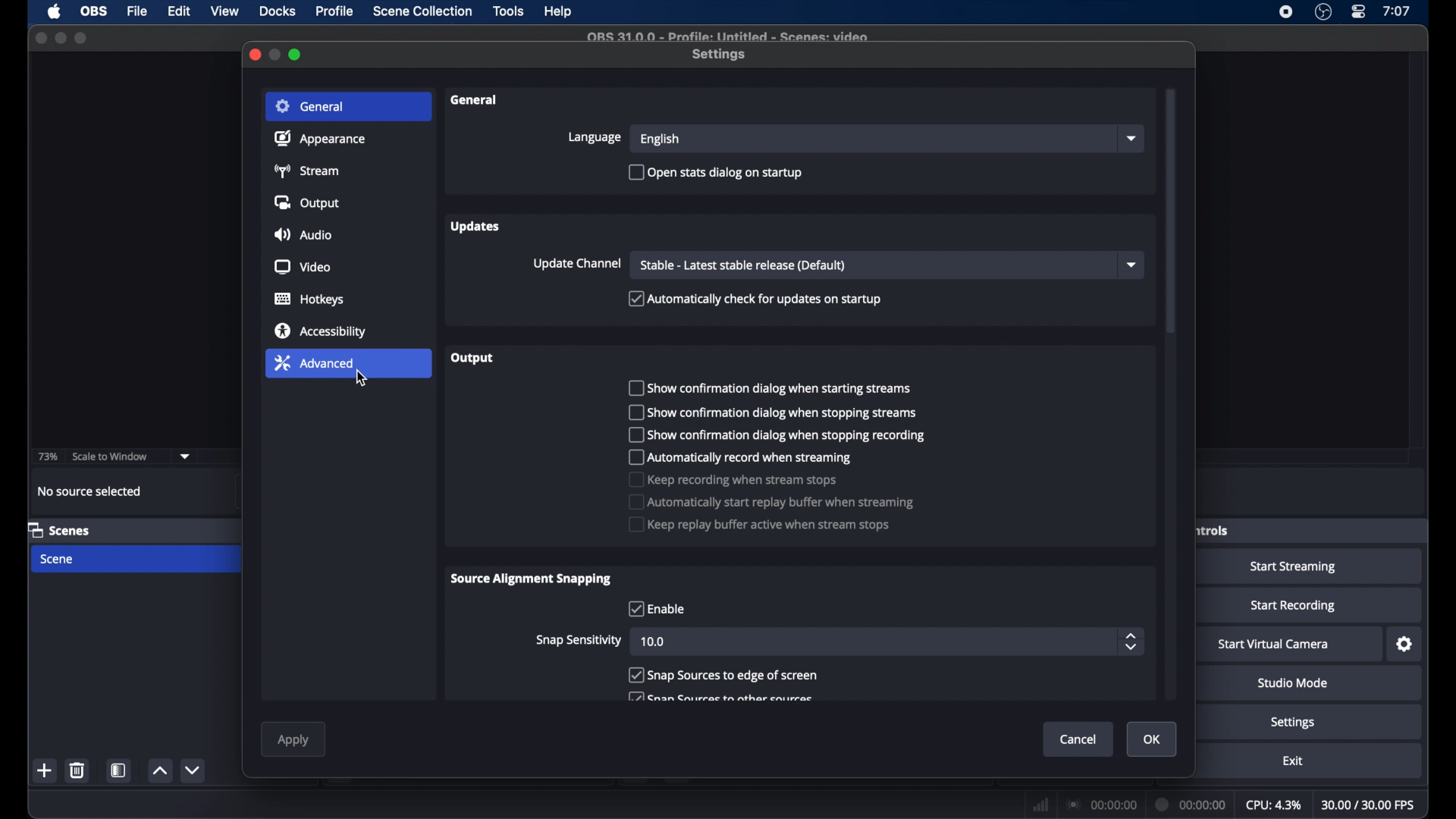 This screenshot has width=1456, height=819. What do you see at coordinates (60, 38) in the screenshot?
I see `minimize` at bounding box center [60, 38].